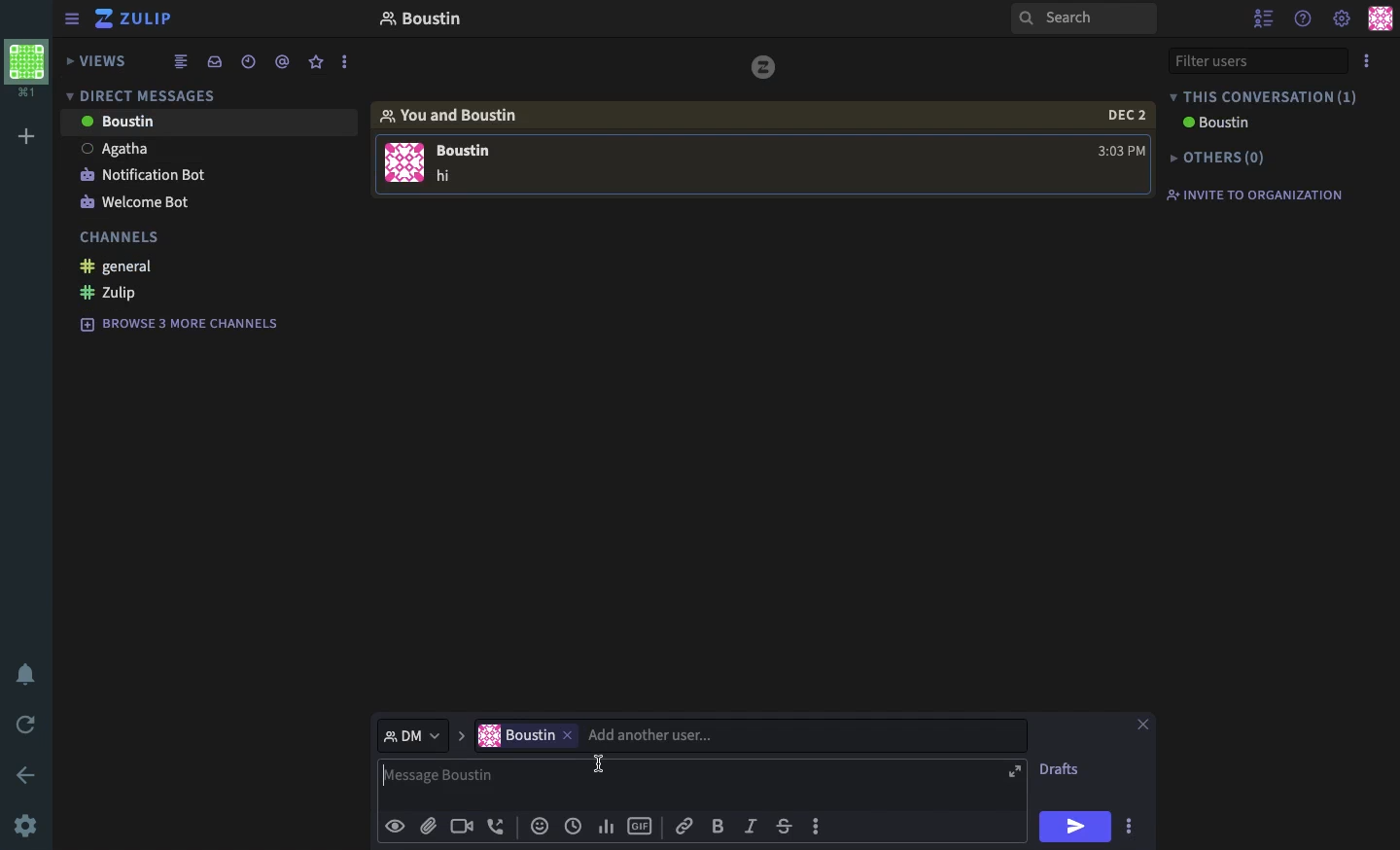 This screenshot has height=850, width=1400. Describe the element at coordinates (72, 20) in the screenshot. I see `sidebar` at that location.